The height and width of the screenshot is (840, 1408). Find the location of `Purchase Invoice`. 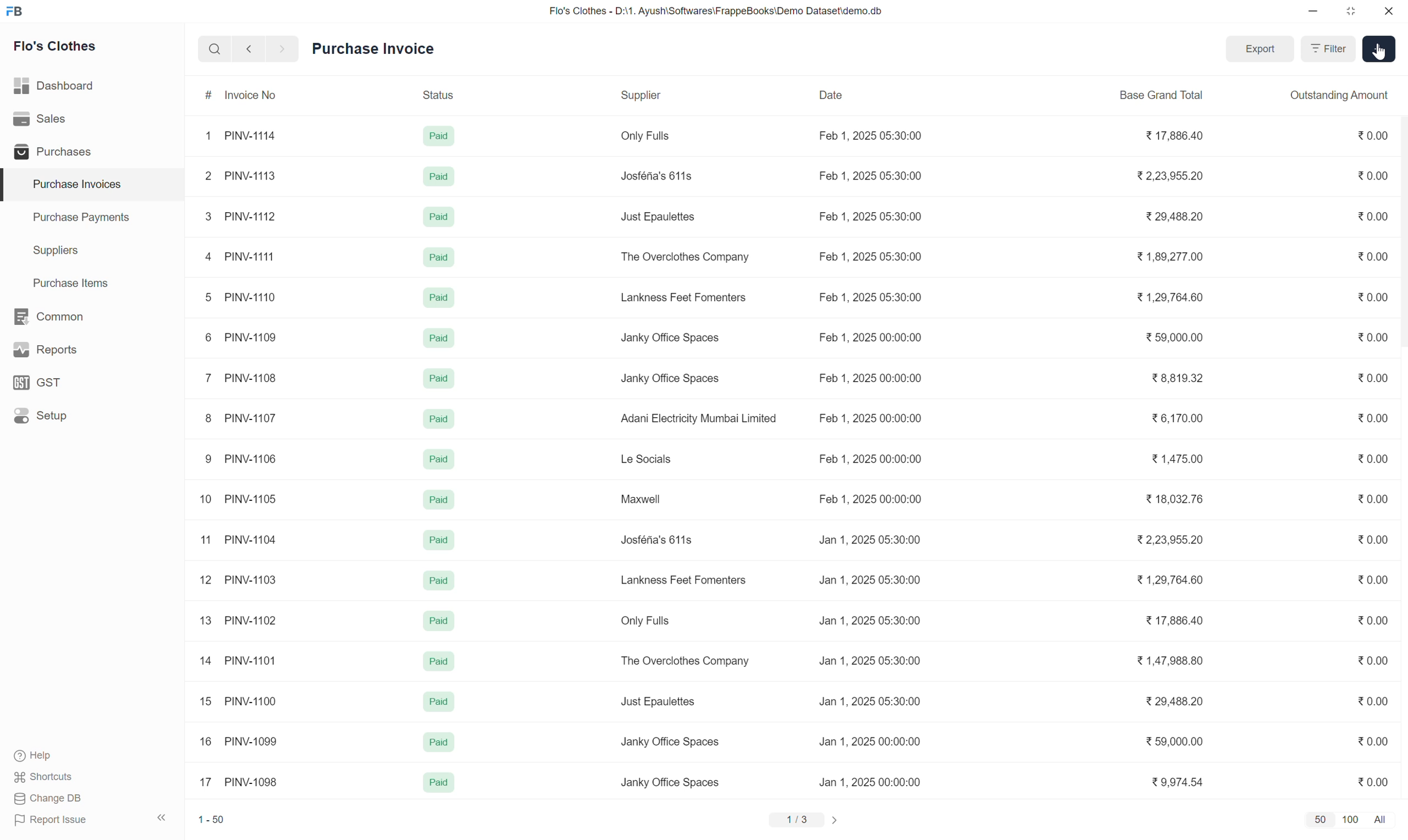

Purchase Invoice is located at coordinates (373, 48).